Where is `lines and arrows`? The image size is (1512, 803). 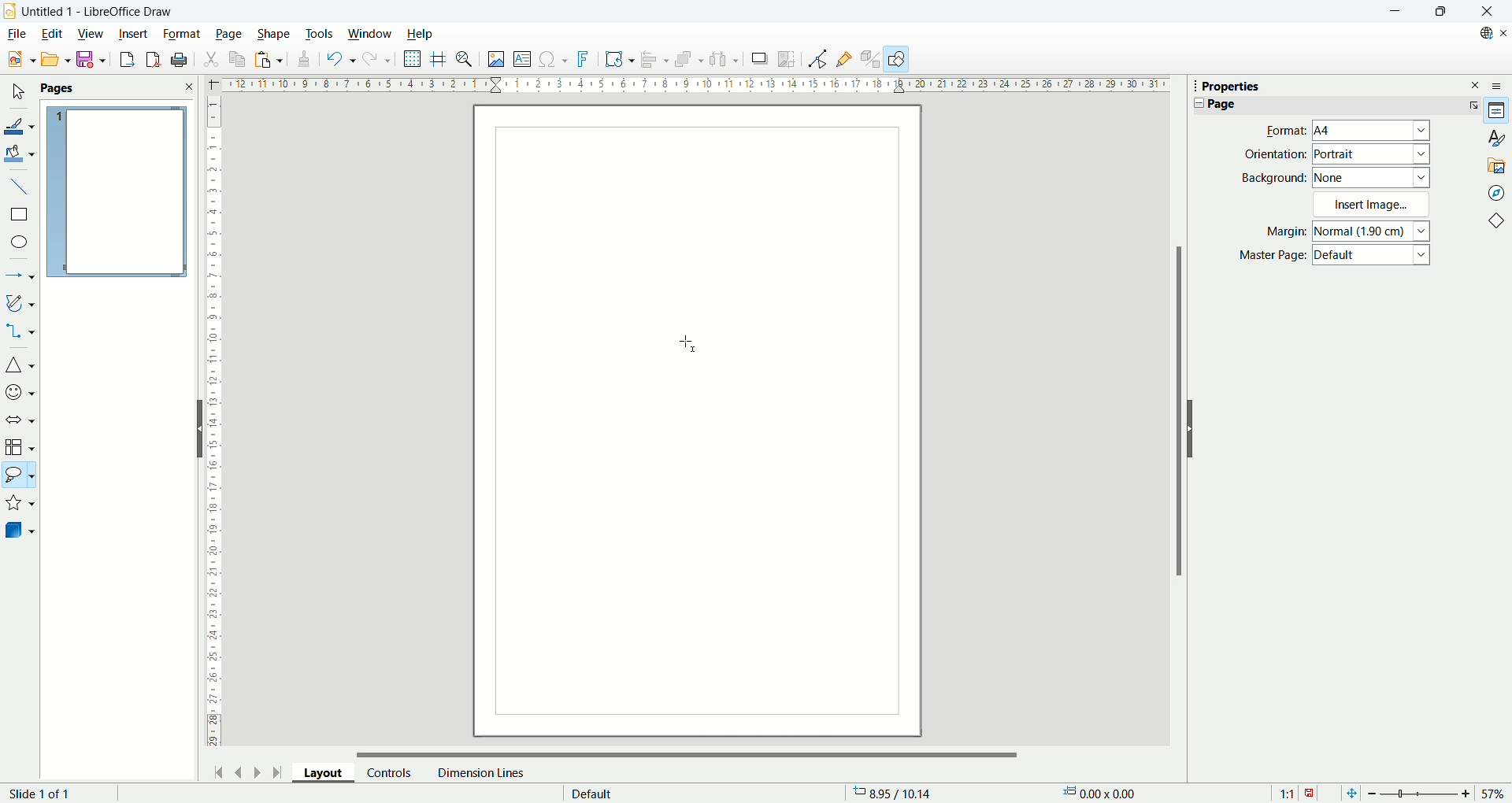 lines and arrows is located at coordinates (20, 277).